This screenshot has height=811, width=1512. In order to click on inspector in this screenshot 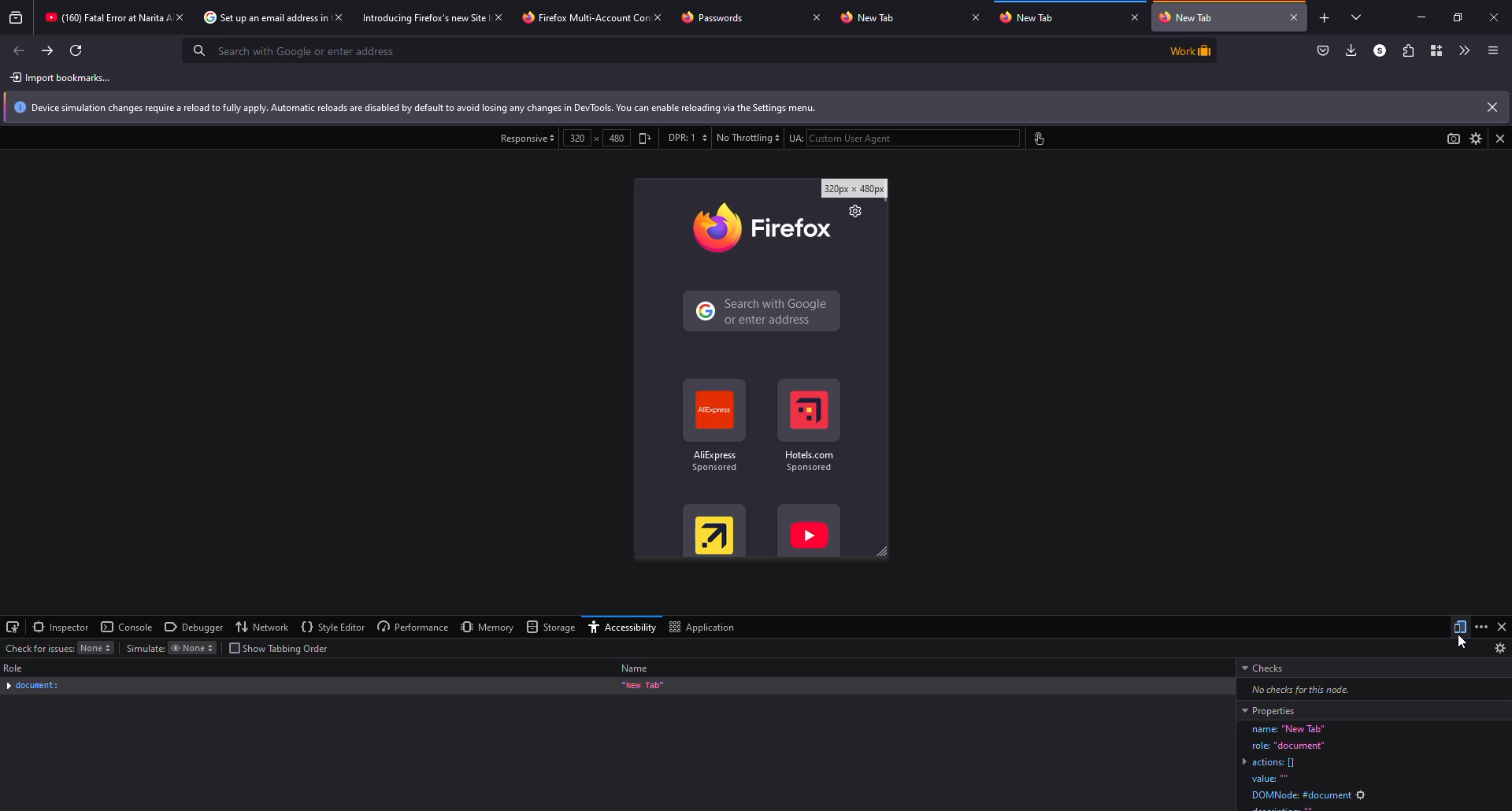, I will do `click(62, 627)`.